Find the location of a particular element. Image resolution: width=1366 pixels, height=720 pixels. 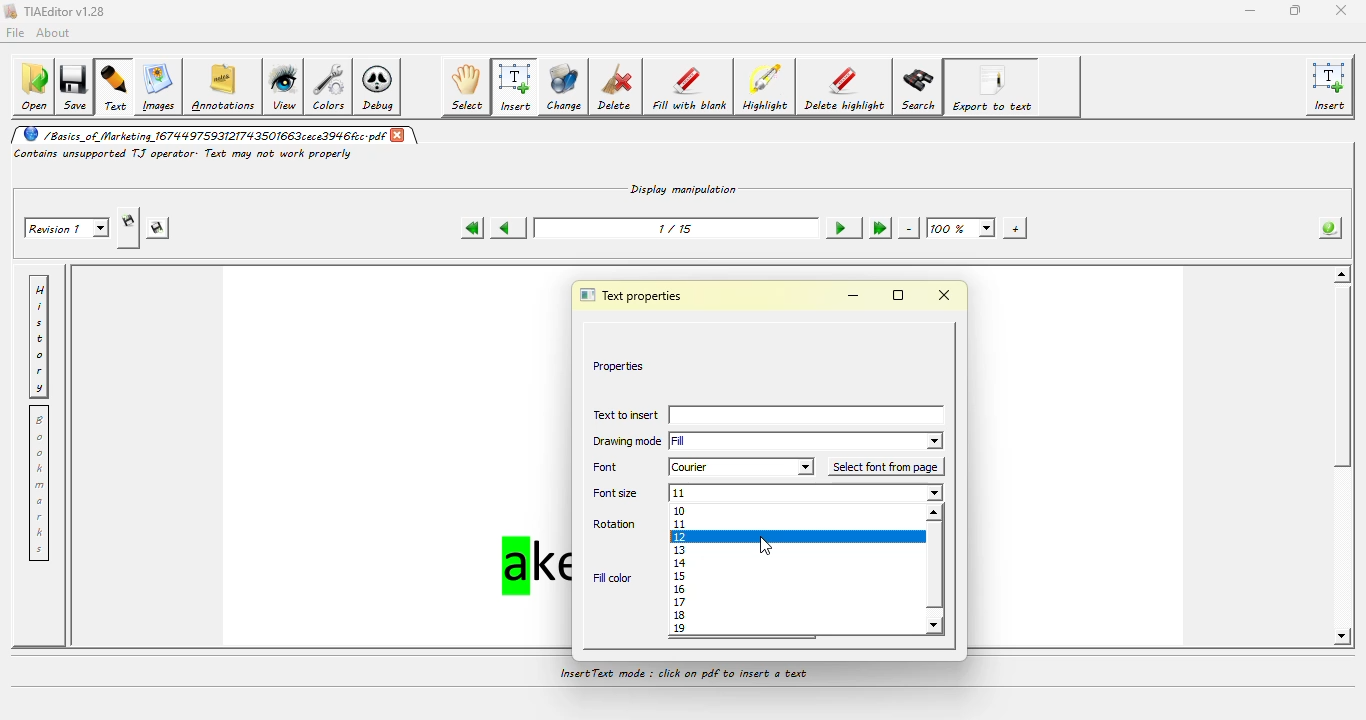

scroll up is located at coordinates (937, 514).